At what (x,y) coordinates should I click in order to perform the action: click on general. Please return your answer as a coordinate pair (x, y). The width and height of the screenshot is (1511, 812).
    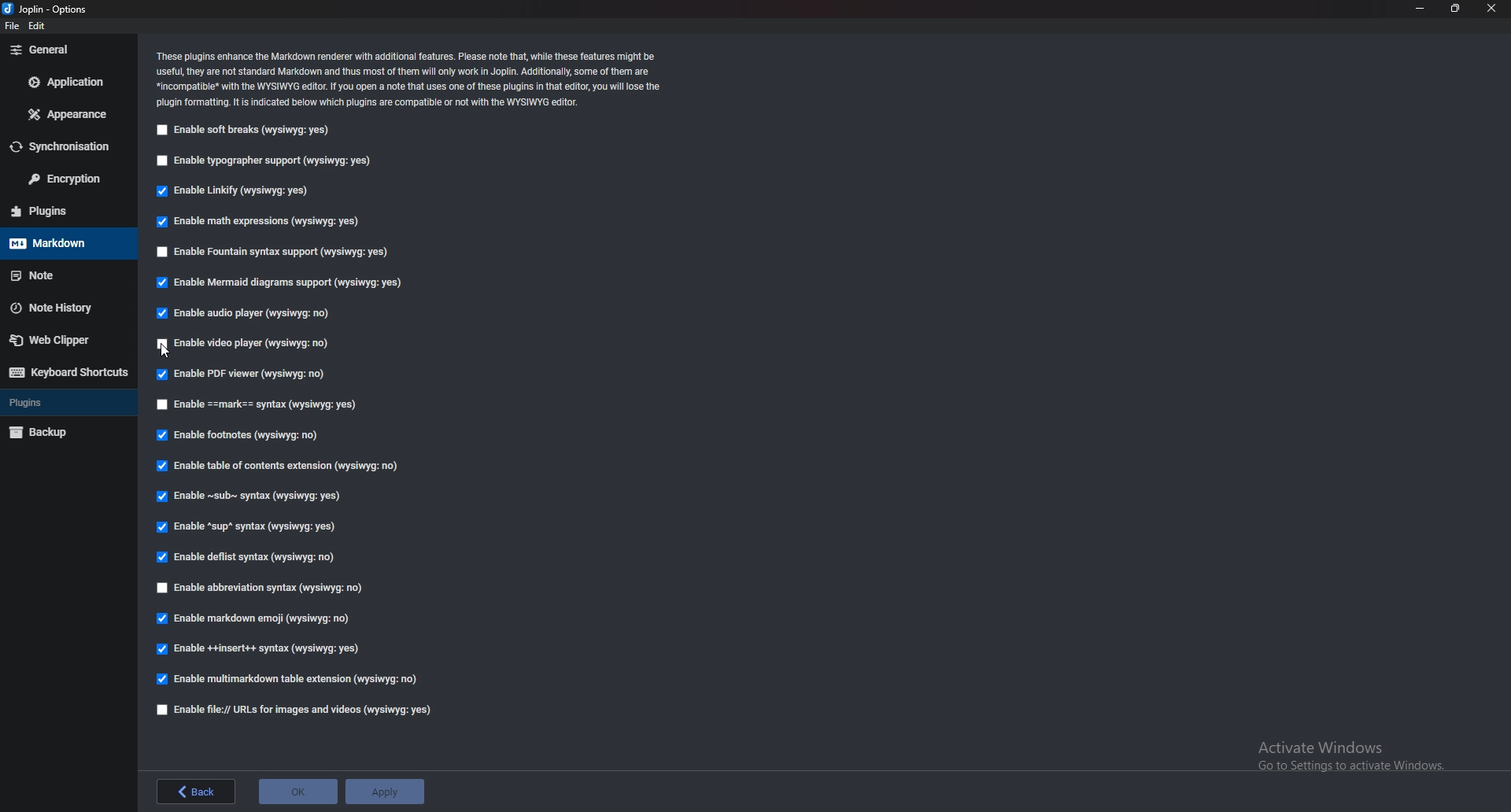
    Looking at the image, I should click on (63, 51).